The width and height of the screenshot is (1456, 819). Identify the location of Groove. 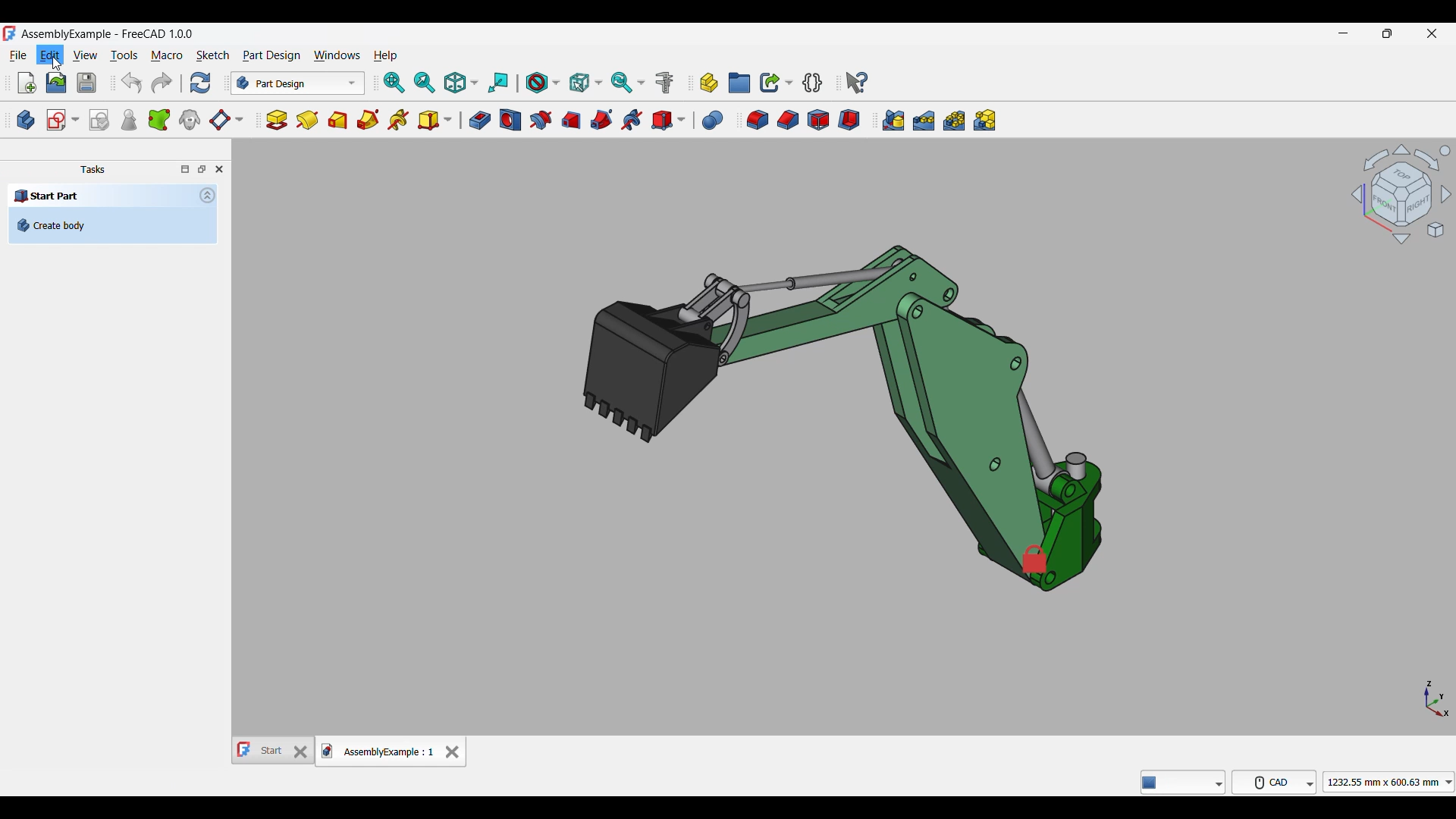
(540, 121).